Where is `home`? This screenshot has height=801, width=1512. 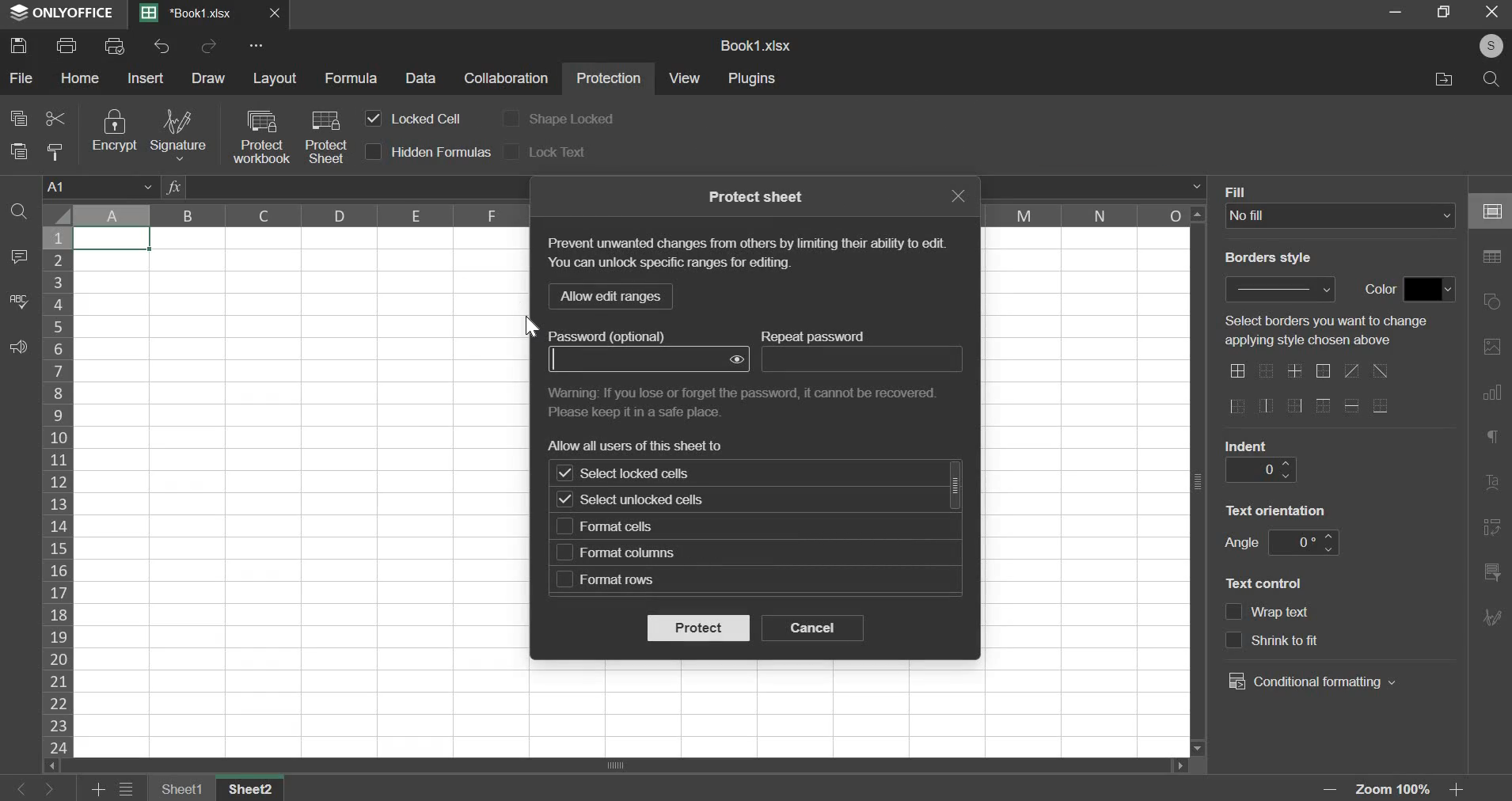 home is located at coordinates (81, 78).